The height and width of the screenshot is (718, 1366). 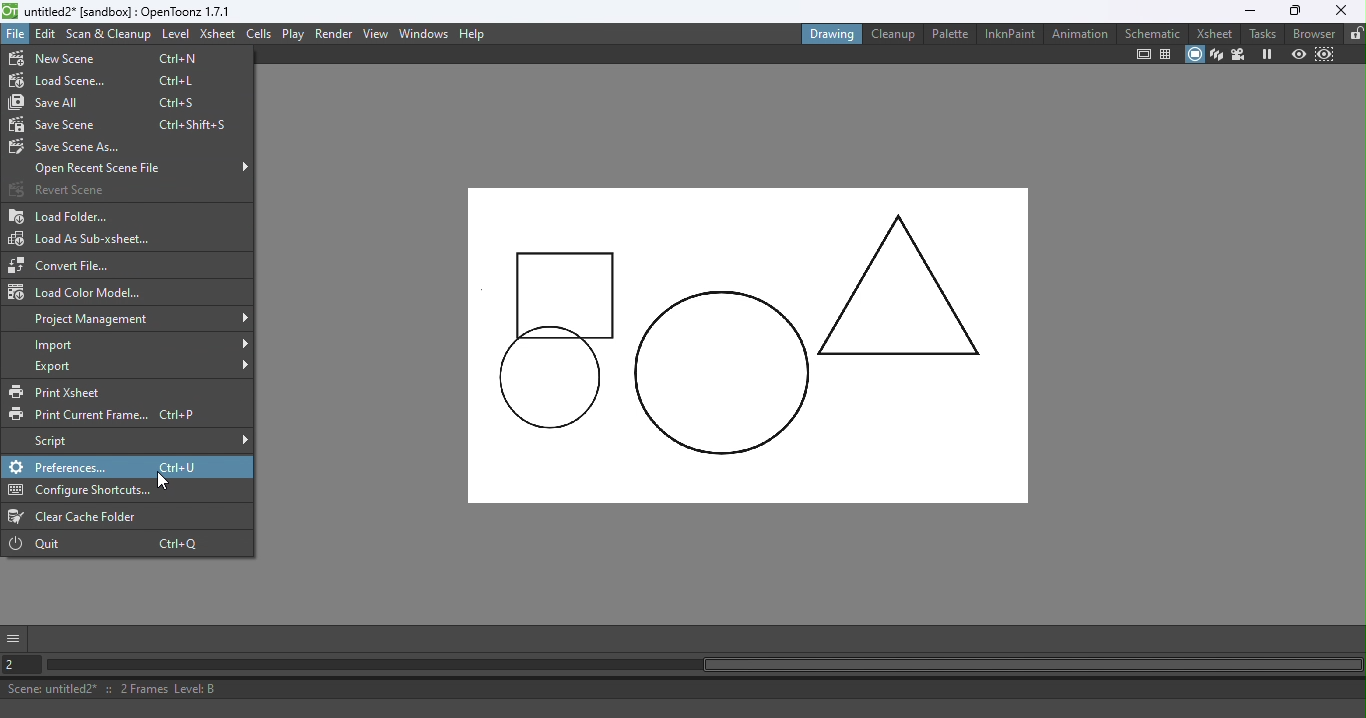 What do you see at coordinates (71, 390) in the screenshot?
I see `Print Xsheet` at bounding box center [71, 390].